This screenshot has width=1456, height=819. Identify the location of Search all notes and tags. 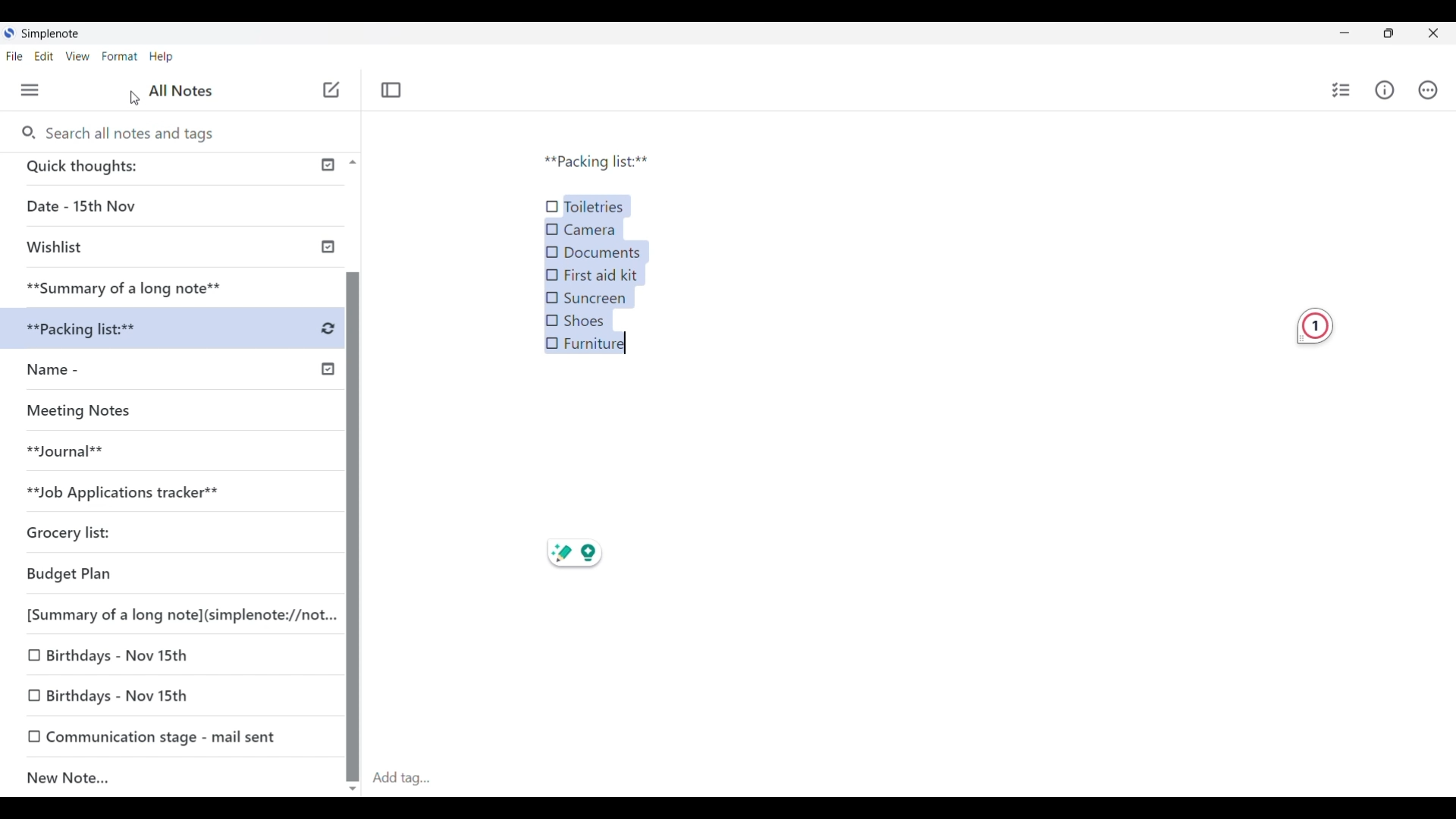
(134, 133).